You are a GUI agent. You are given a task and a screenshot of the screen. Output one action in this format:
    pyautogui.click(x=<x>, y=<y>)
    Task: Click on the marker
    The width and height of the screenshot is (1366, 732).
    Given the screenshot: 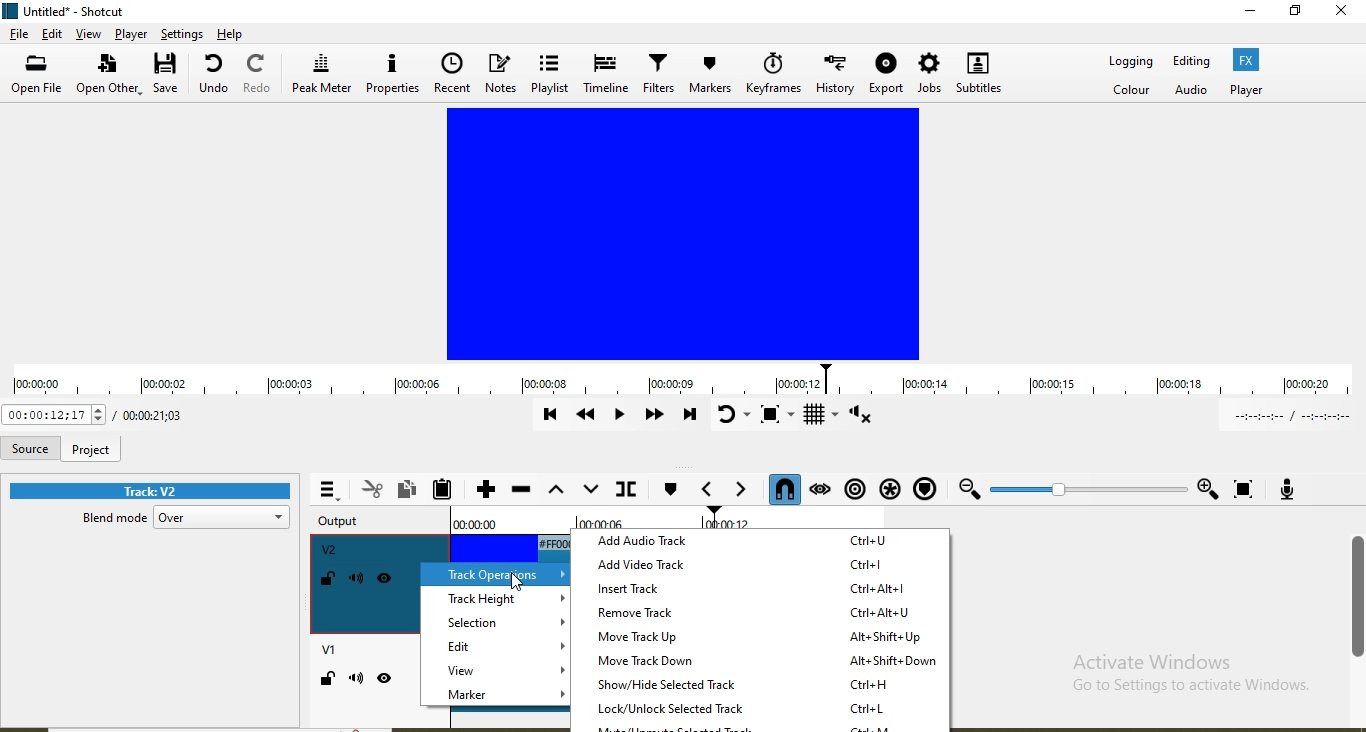 What is the action you would take?
    pyautogui.click(x=494, y=697)
    